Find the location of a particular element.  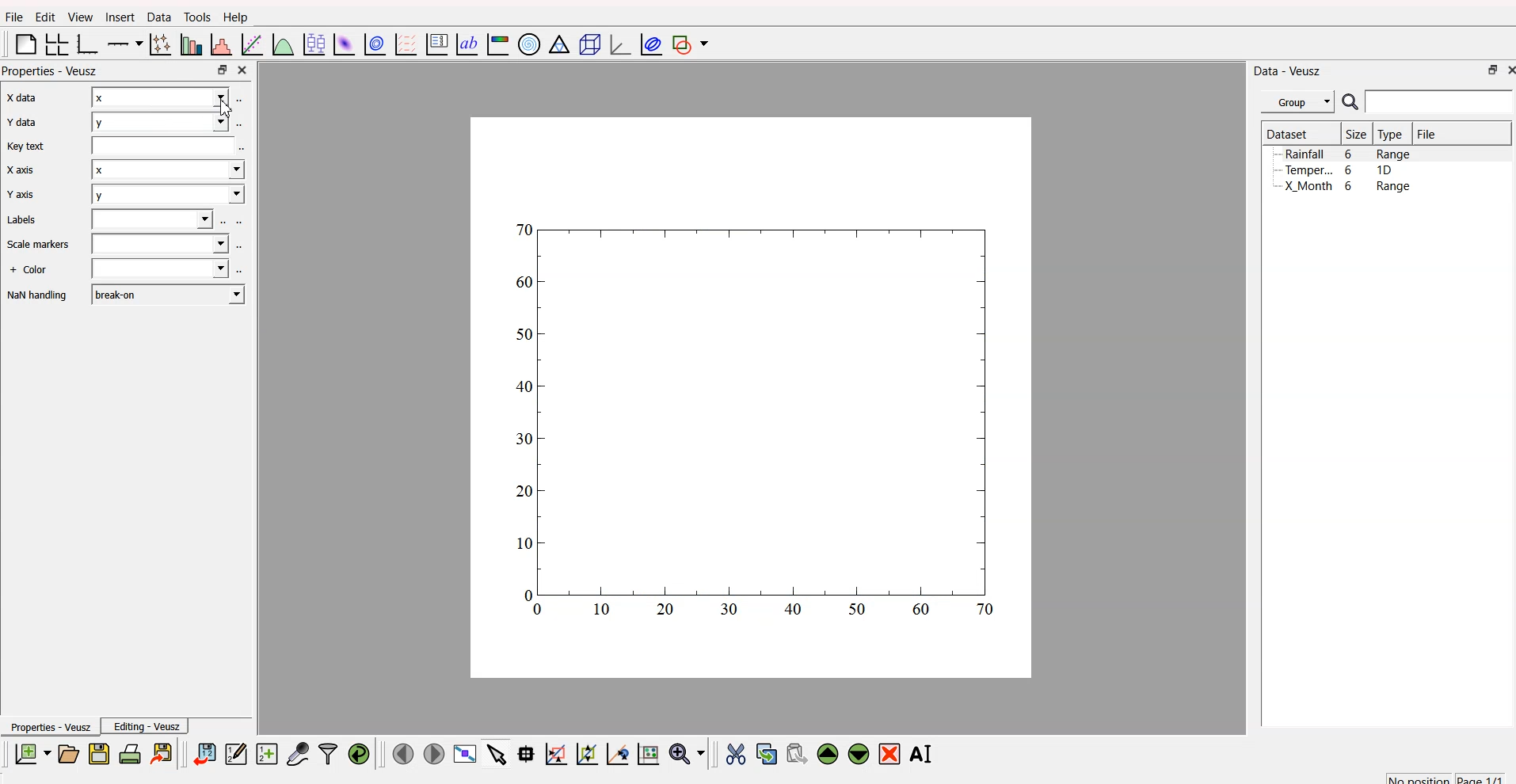

fit function to data is located at coordinates (252, 45).